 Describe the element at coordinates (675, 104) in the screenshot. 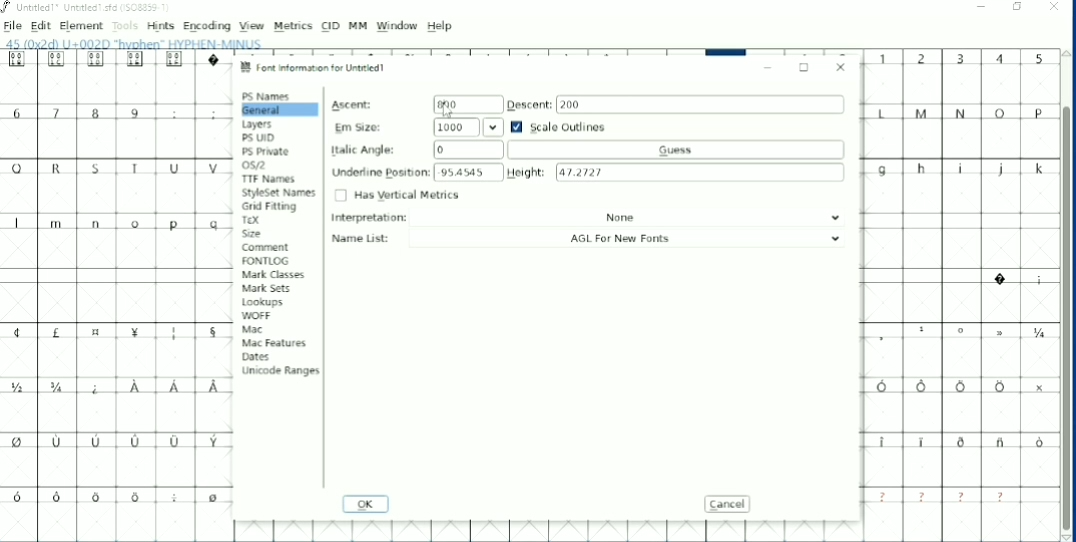

I see `Descent` at that location.